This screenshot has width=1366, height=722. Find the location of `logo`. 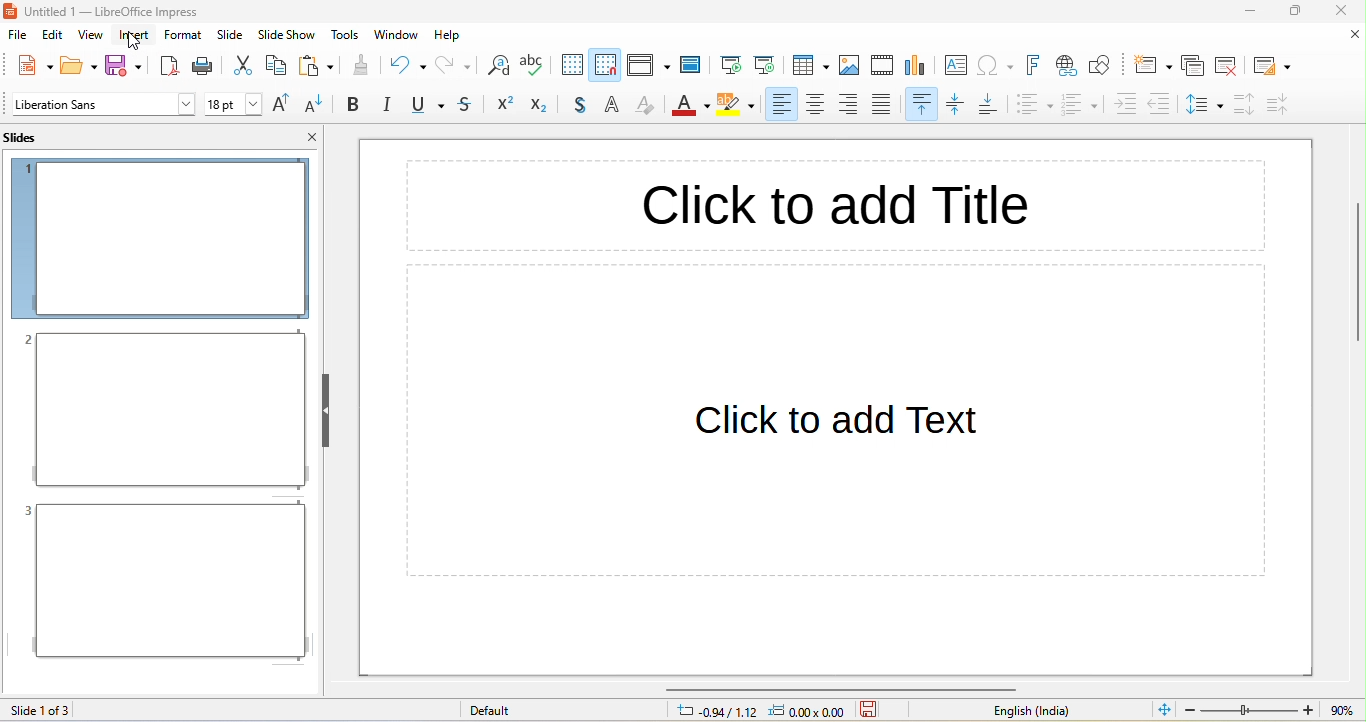

logo is located at coordinates (11, 12).